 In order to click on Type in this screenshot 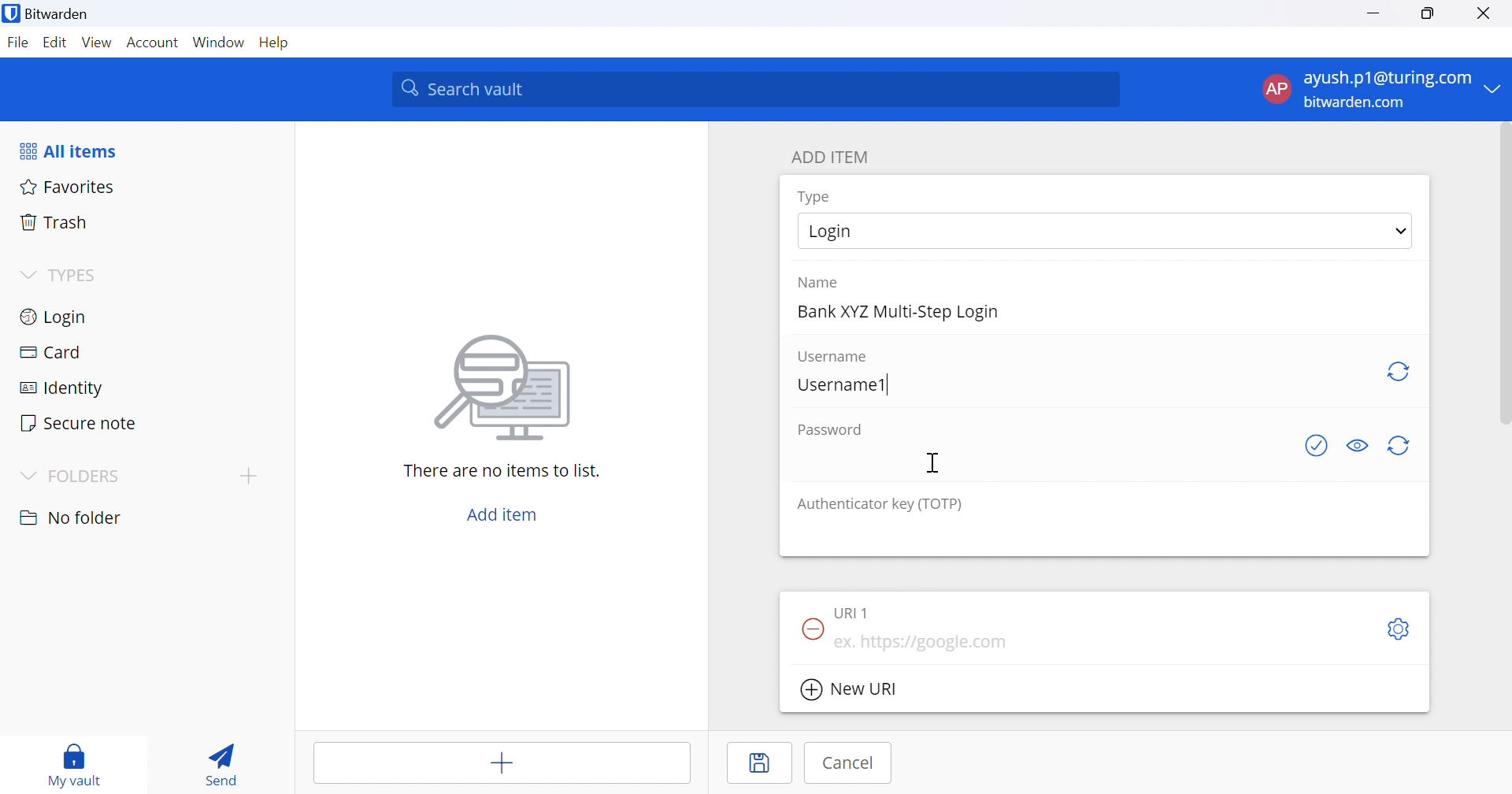, I will do `click(815, 197)`.